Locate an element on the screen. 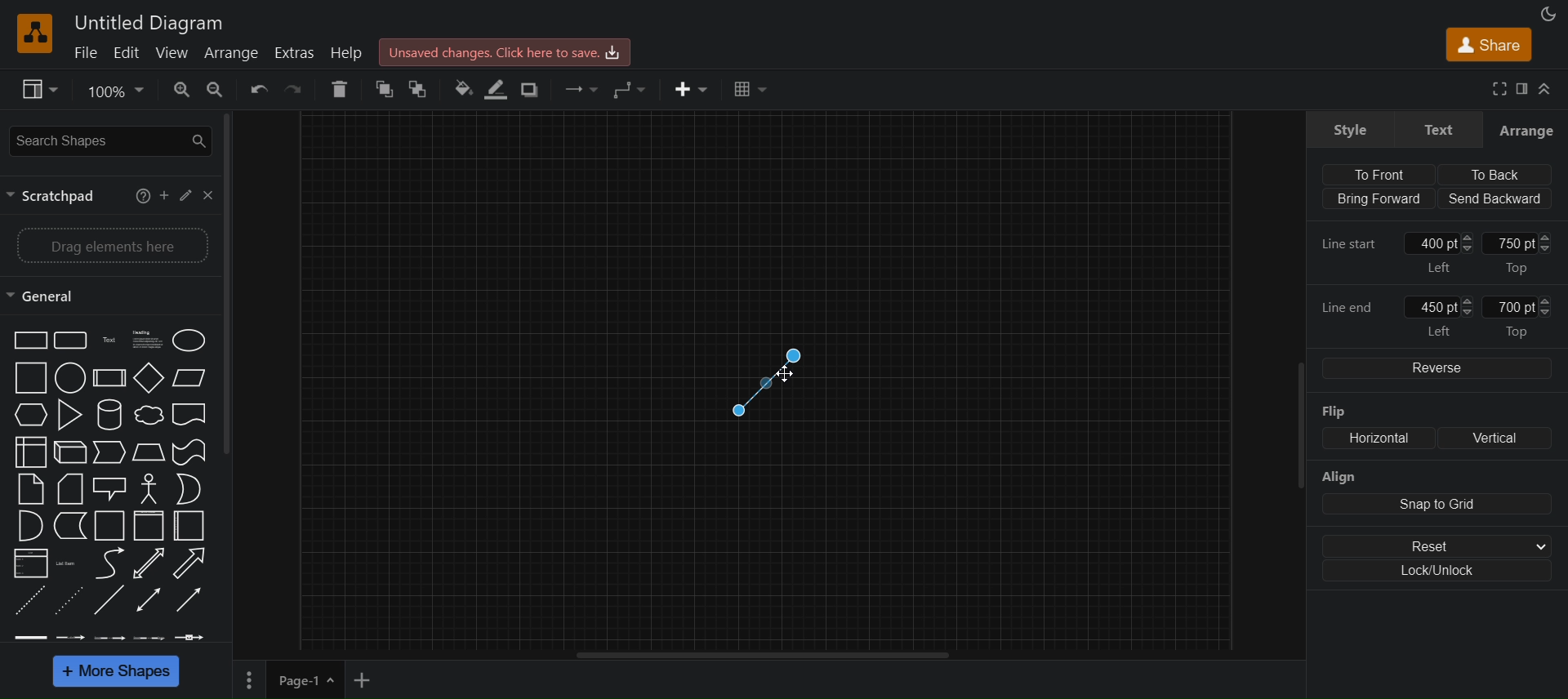 The image size is (1568, 699). connections is located at coordinates (580, 87).